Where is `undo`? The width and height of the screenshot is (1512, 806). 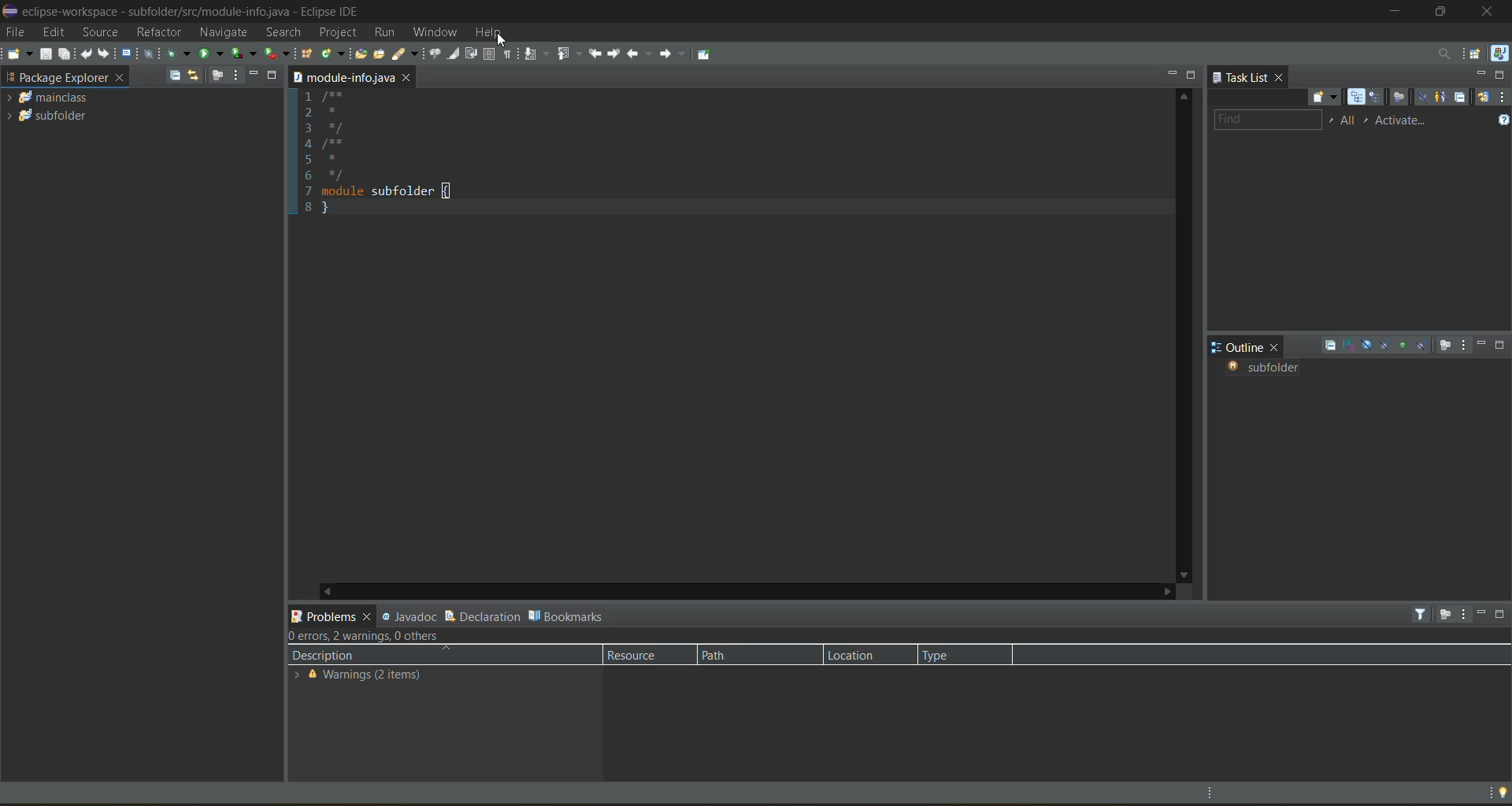 undo is located at coordinates (88, 54).